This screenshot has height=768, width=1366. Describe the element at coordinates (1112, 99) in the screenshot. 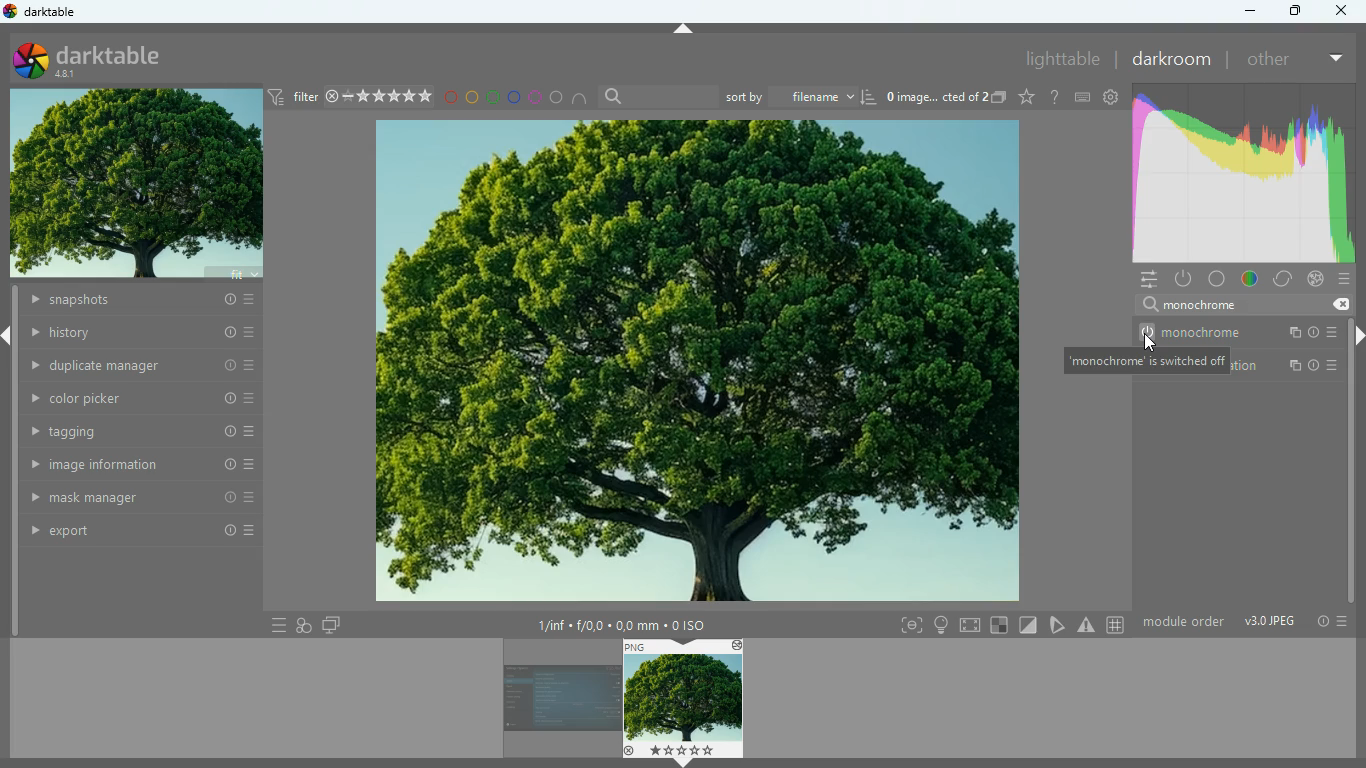

I see `settings` at that location.